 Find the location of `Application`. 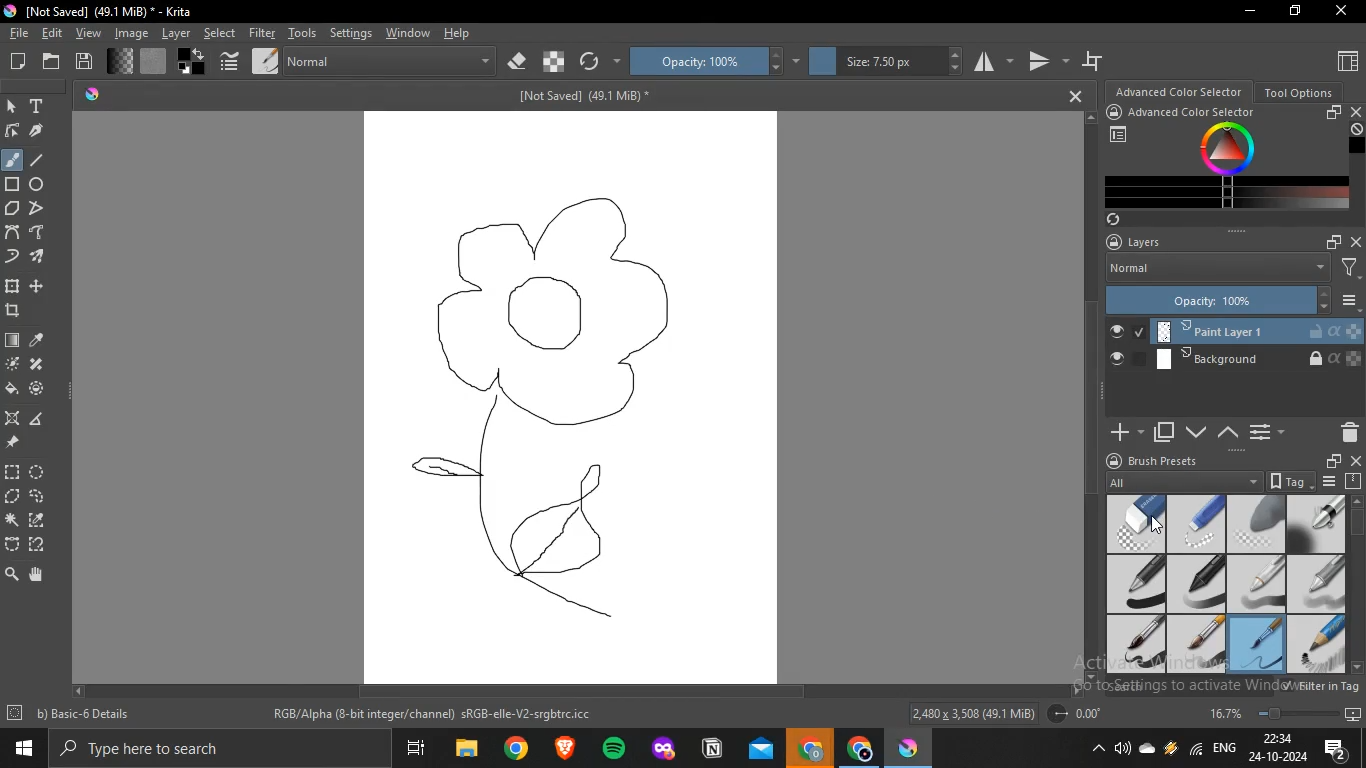

Application is located at coordinates (662, 748).